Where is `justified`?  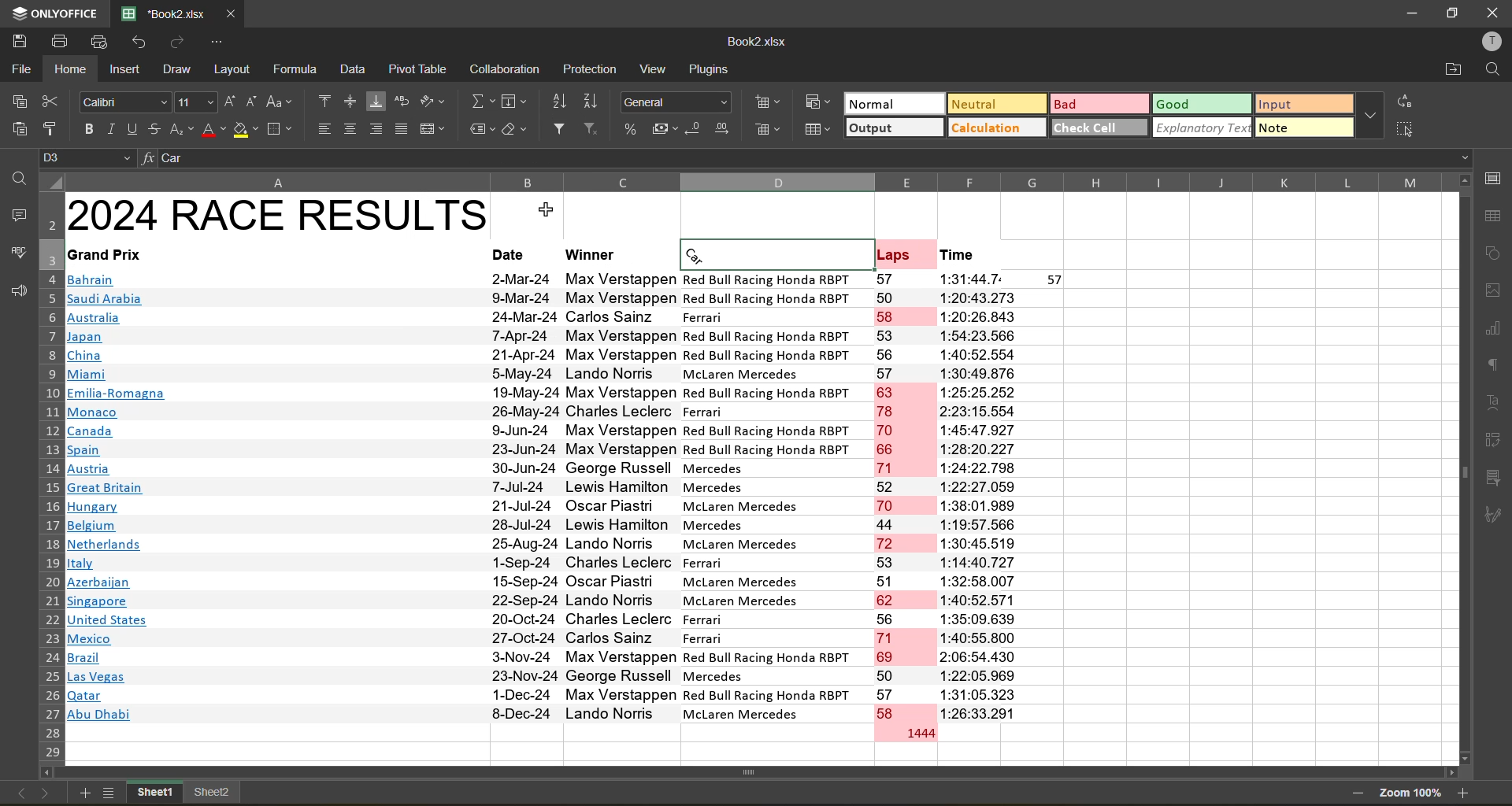 justified is located at coordinates (401, 130).